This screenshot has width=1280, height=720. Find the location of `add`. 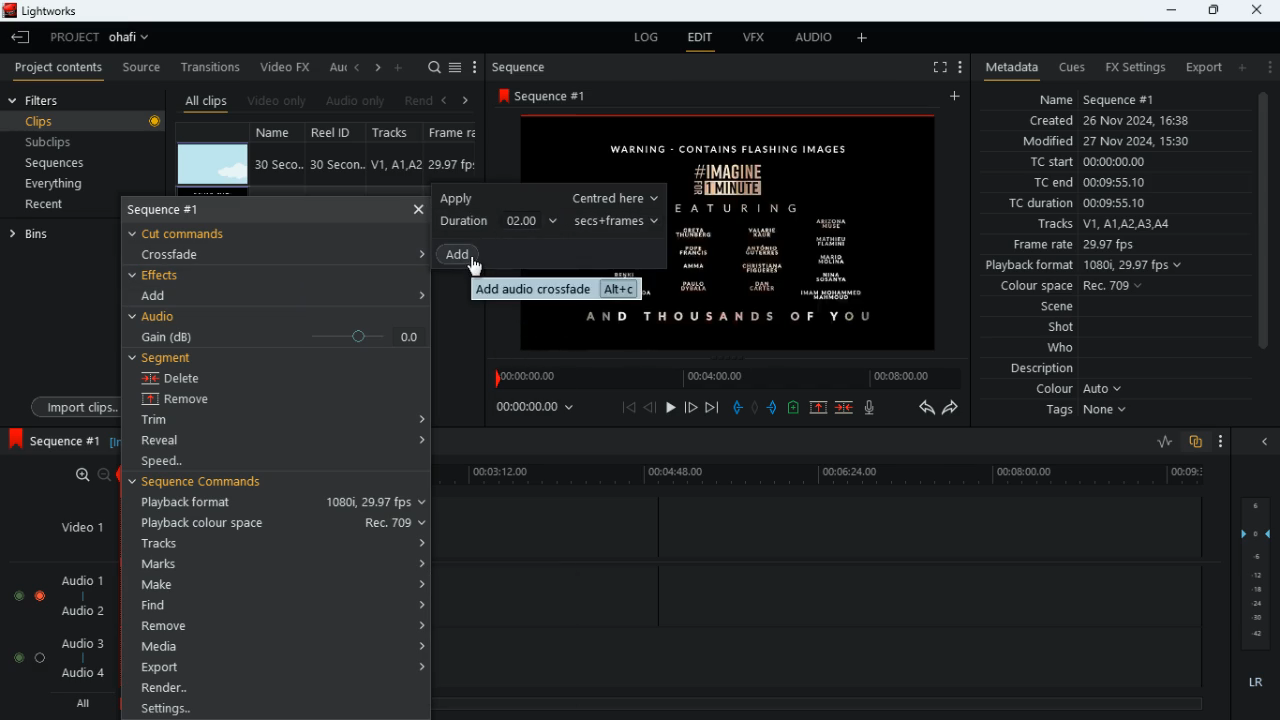

add is located at coordinates (163, 295).